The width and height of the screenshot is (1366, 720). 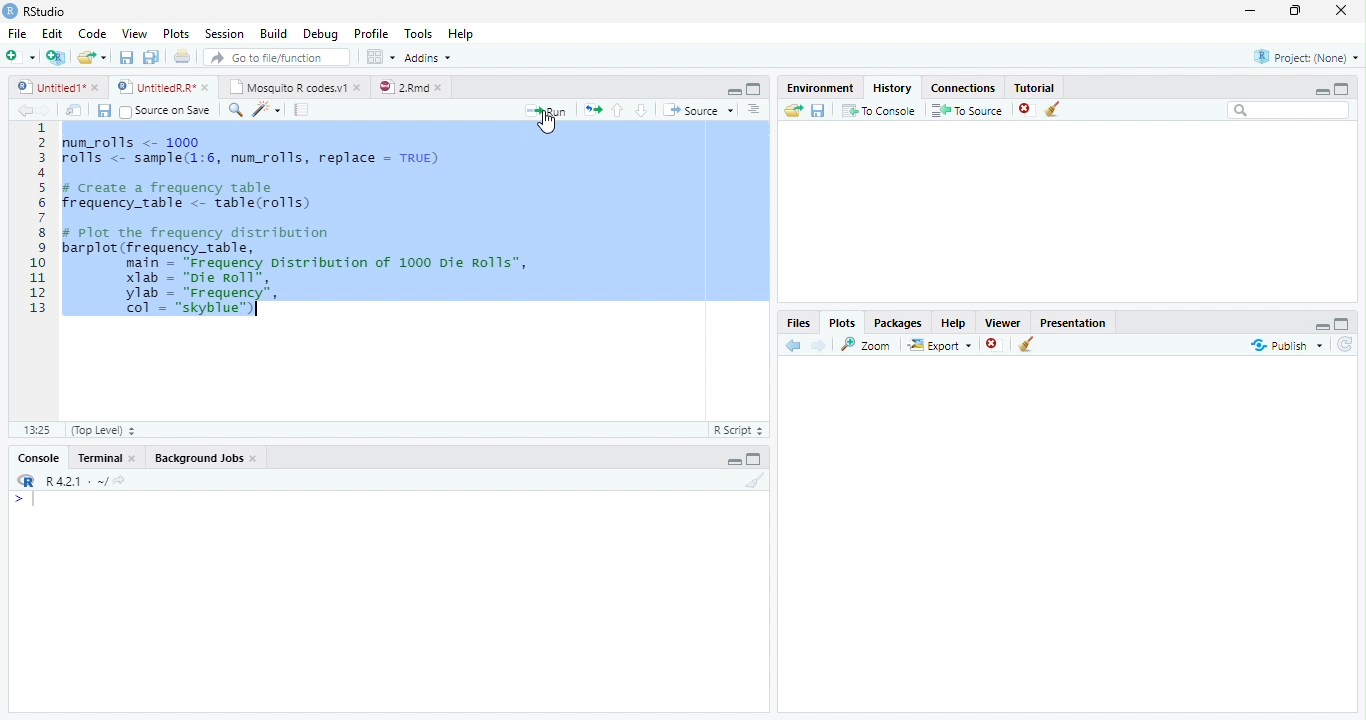 What do you see at coordinates (76, 110) in the screenshot?
I see `Show in new window` at bounding box center [76, 110].